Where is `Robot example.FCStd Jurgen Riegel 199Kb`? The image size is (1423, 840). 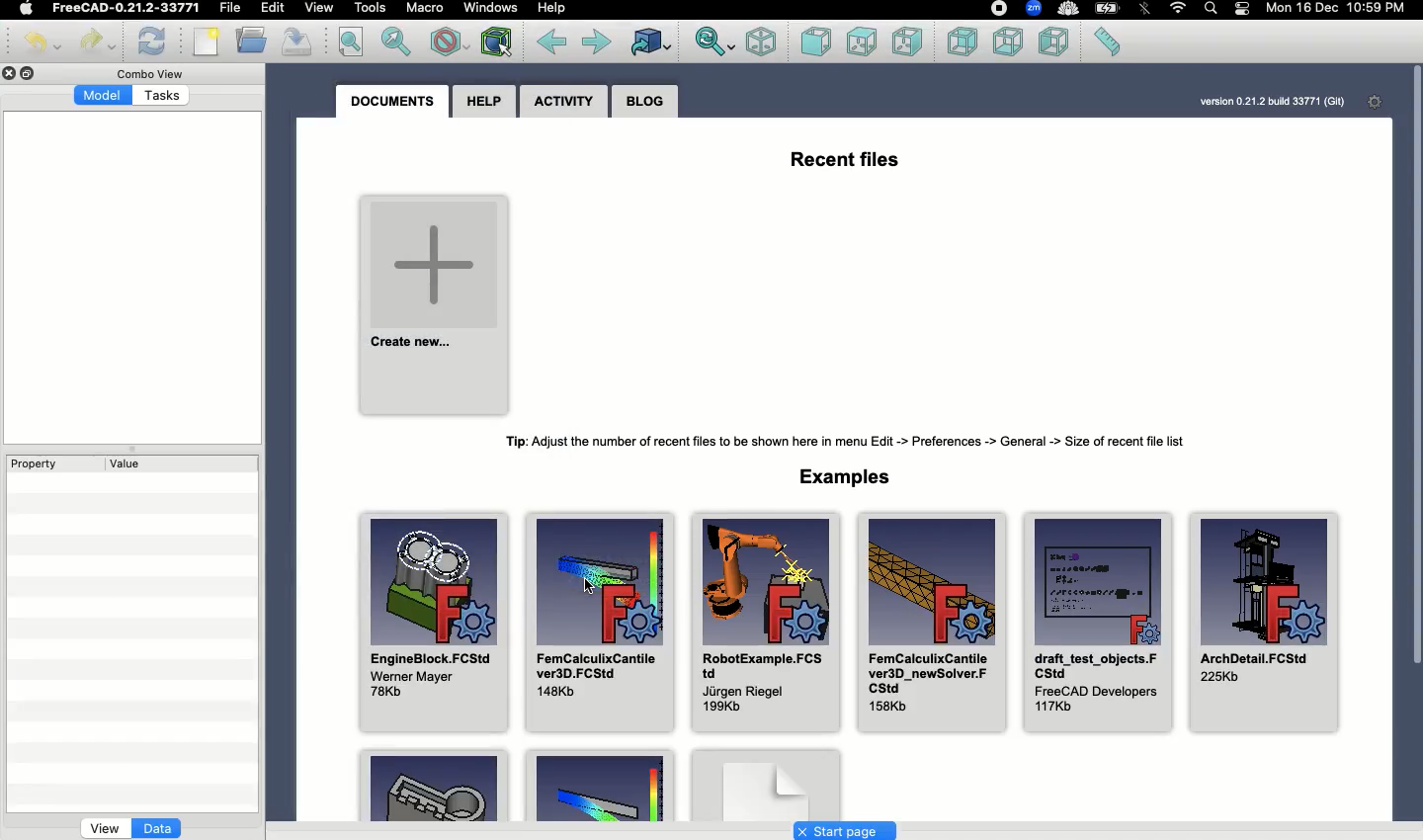
Robot example.FCStd Jurgen Riegel 199Kb is located at coordinates (768, 625).